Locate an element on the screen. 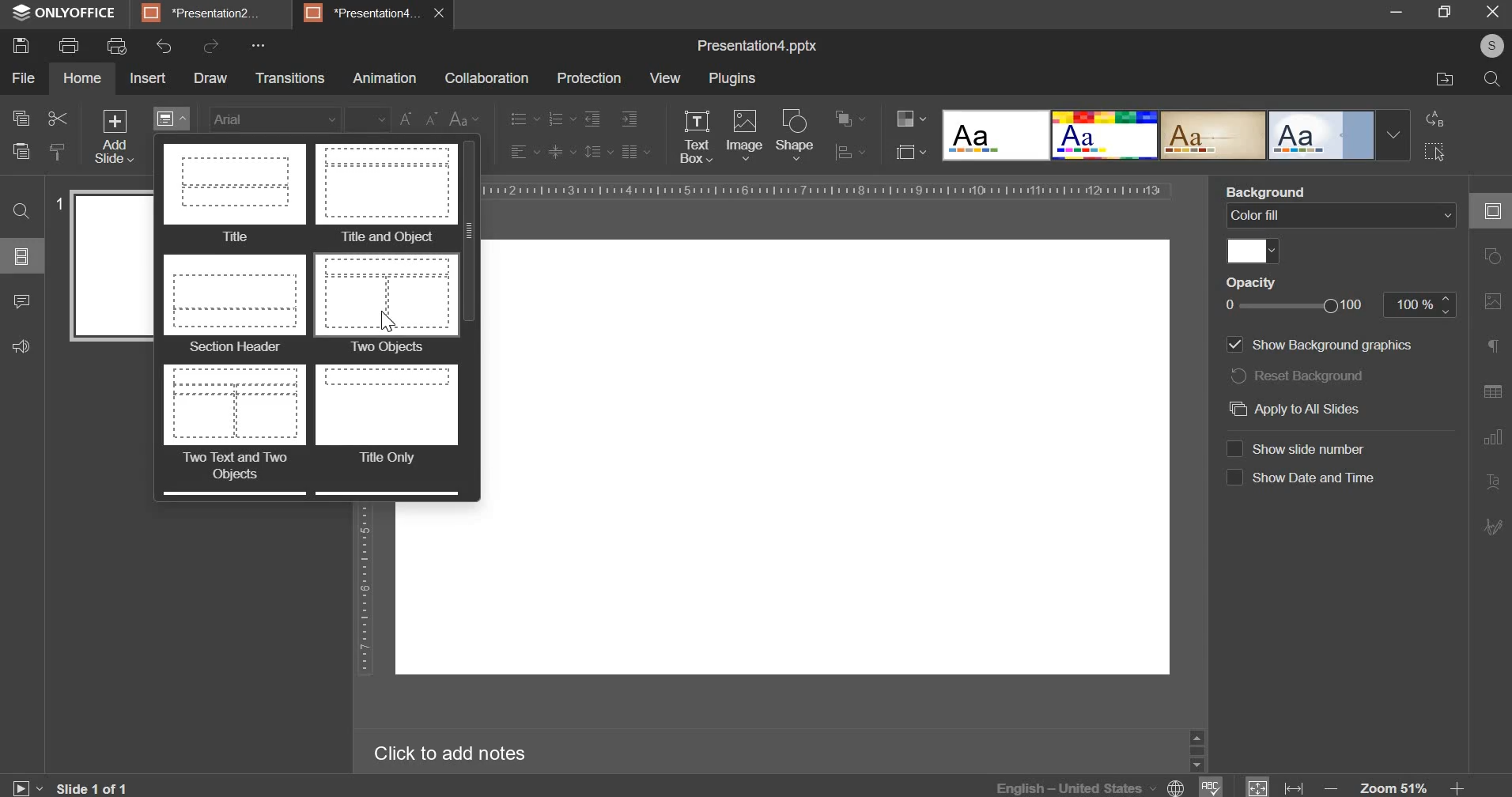  apply to all slides is located at coordinates (1292, 410).